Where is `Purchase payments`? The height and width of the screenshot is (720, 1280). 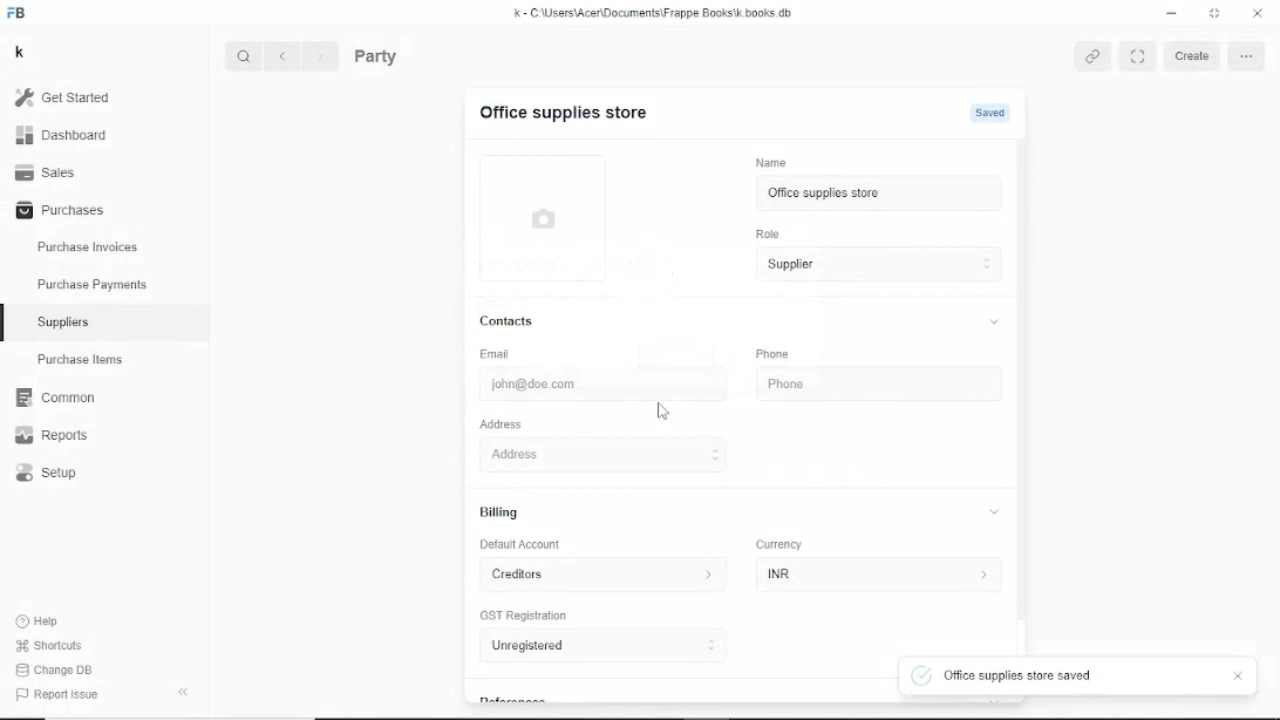
Purchase payments is located at coordinates (92, 284).